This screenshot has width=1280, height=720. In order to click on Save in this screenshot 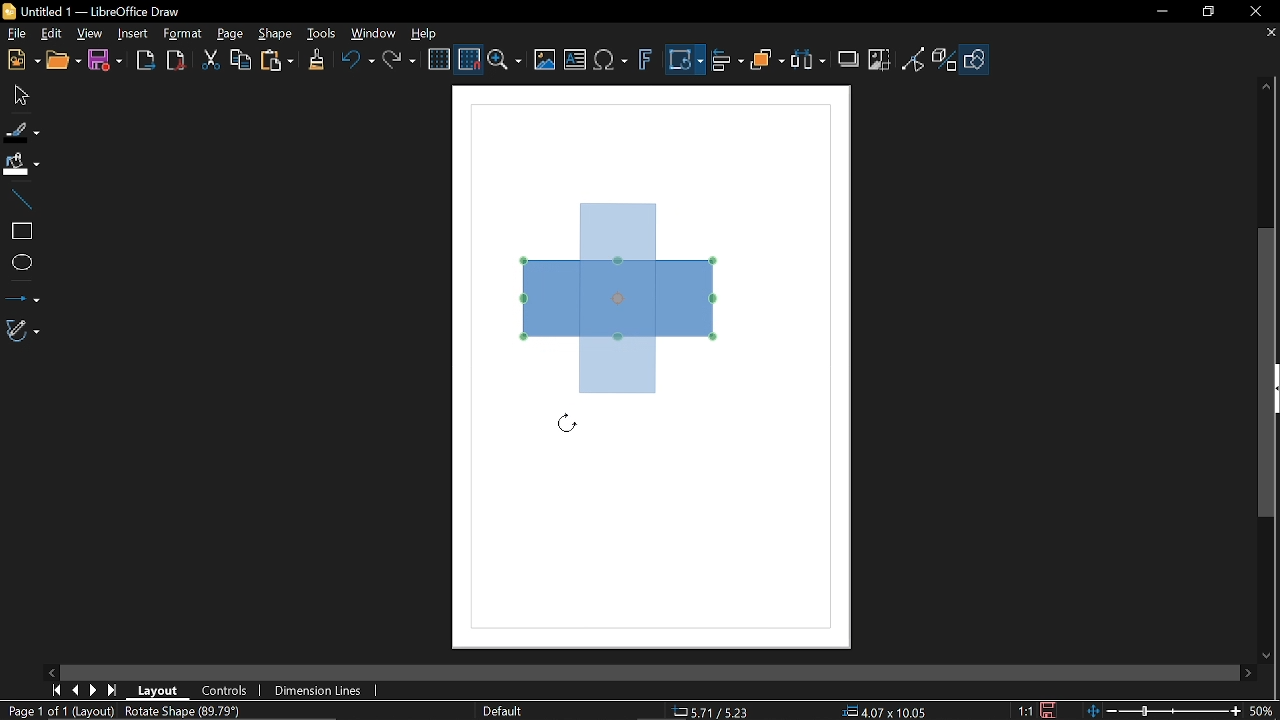, I will do `click(1046, 711)`.